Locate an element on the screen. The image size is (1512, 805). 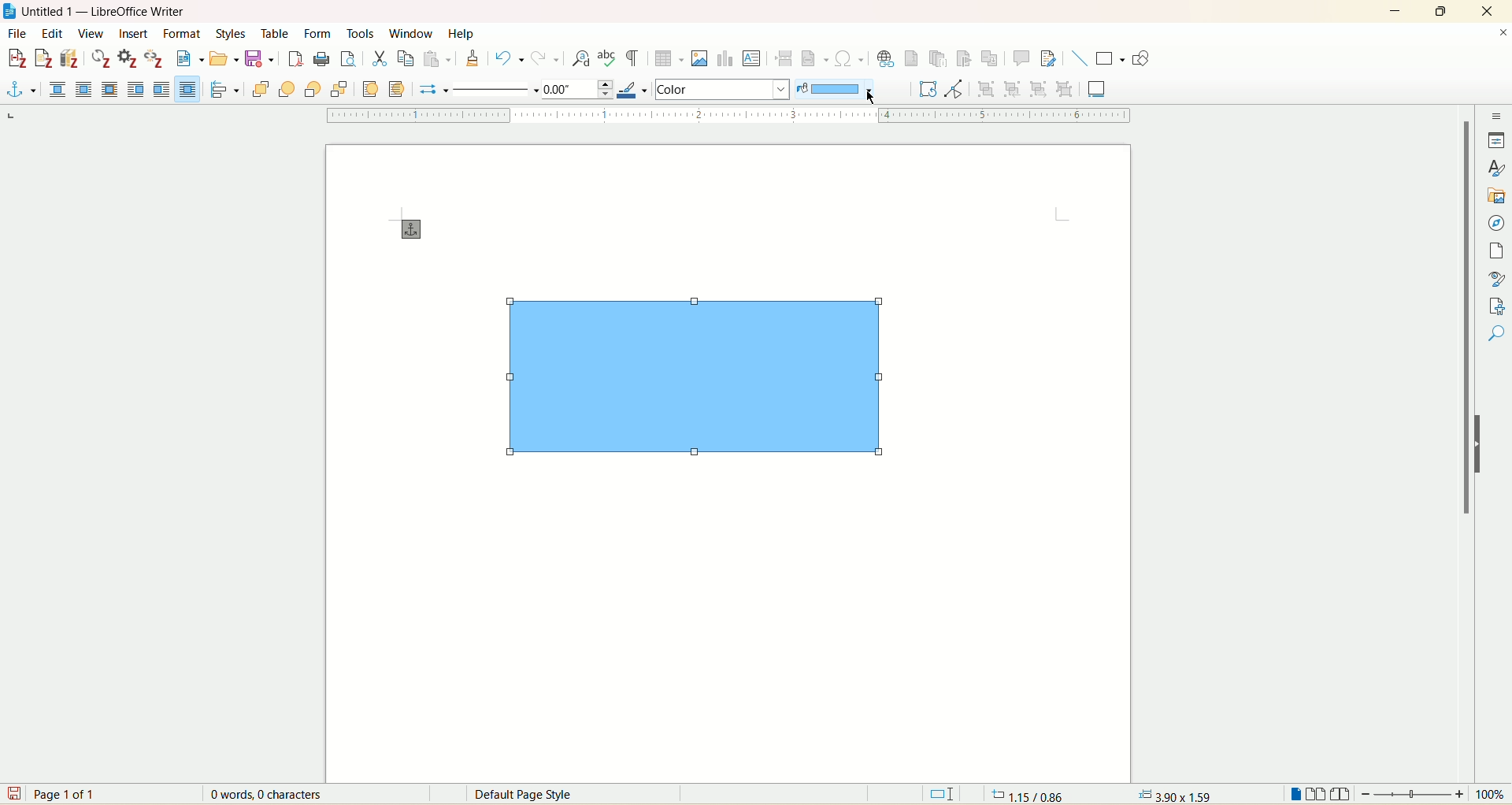
book view is located at coordinates (1343, 796).